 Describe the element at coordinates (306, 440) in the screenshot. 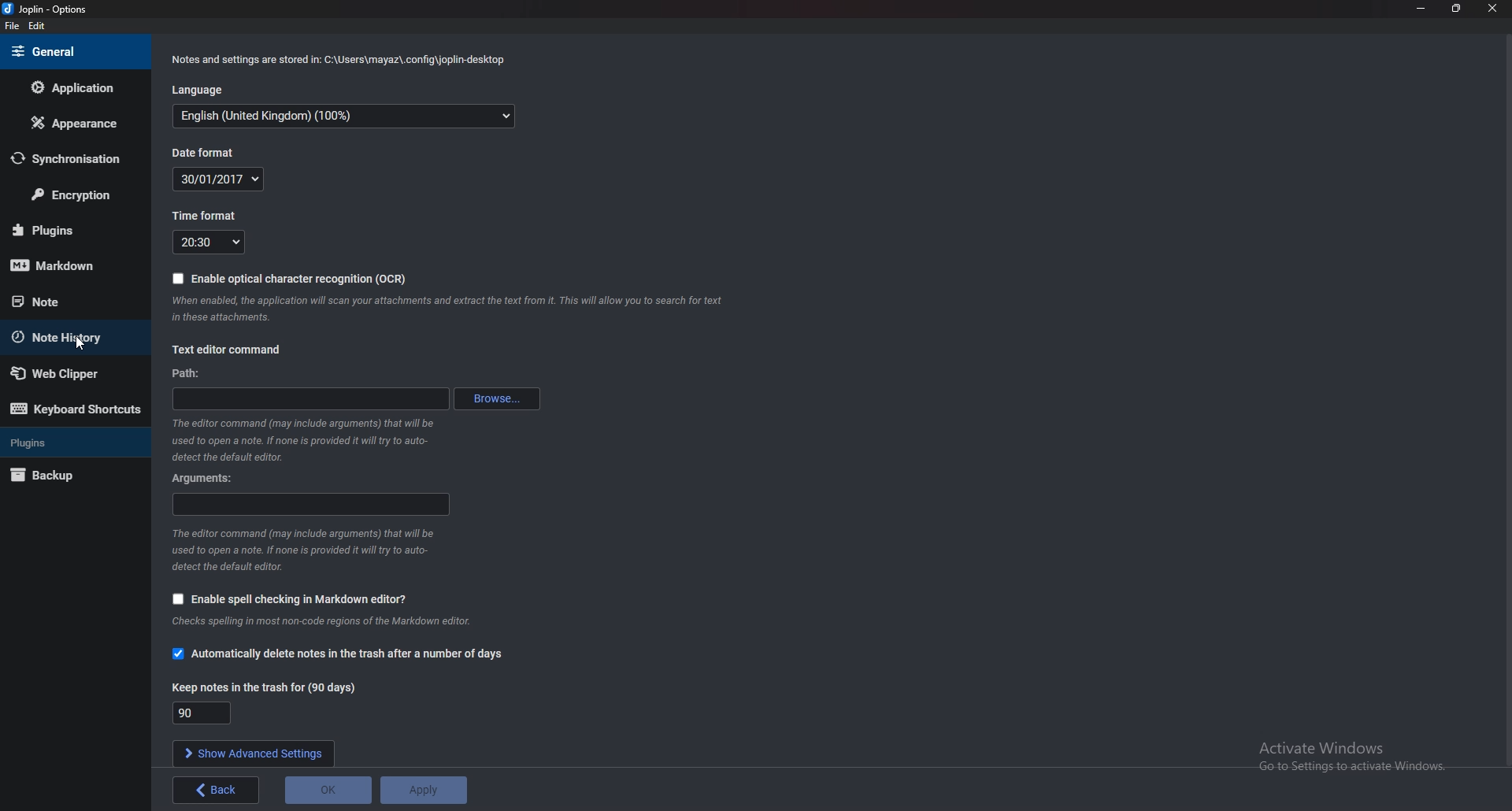

I see `The editor command (may include arguments) that will be
used to open a note. If none is provided it will ry to auto-
detect the default editor.` at that location.